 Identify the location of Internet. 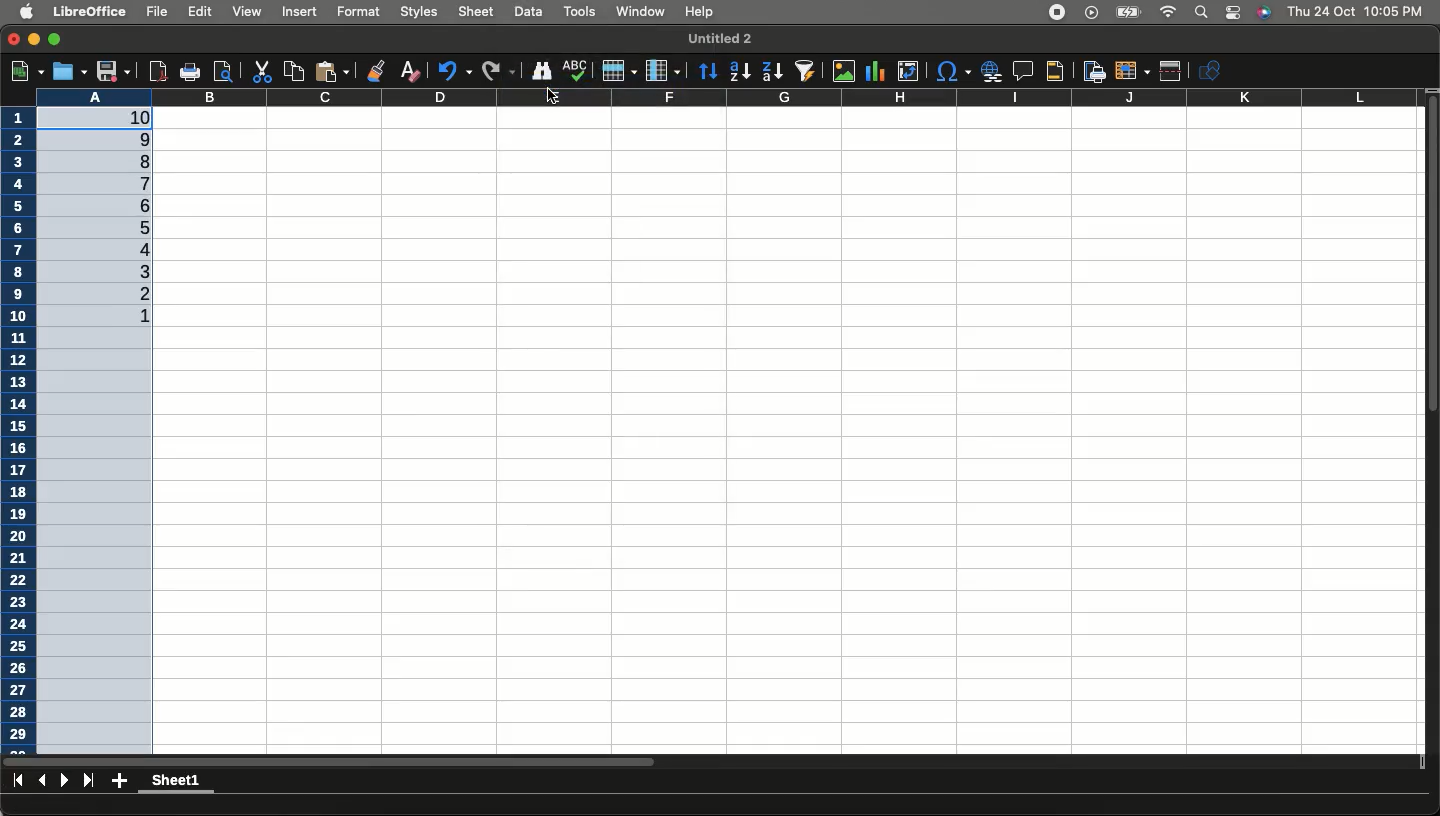
(1168, 13).